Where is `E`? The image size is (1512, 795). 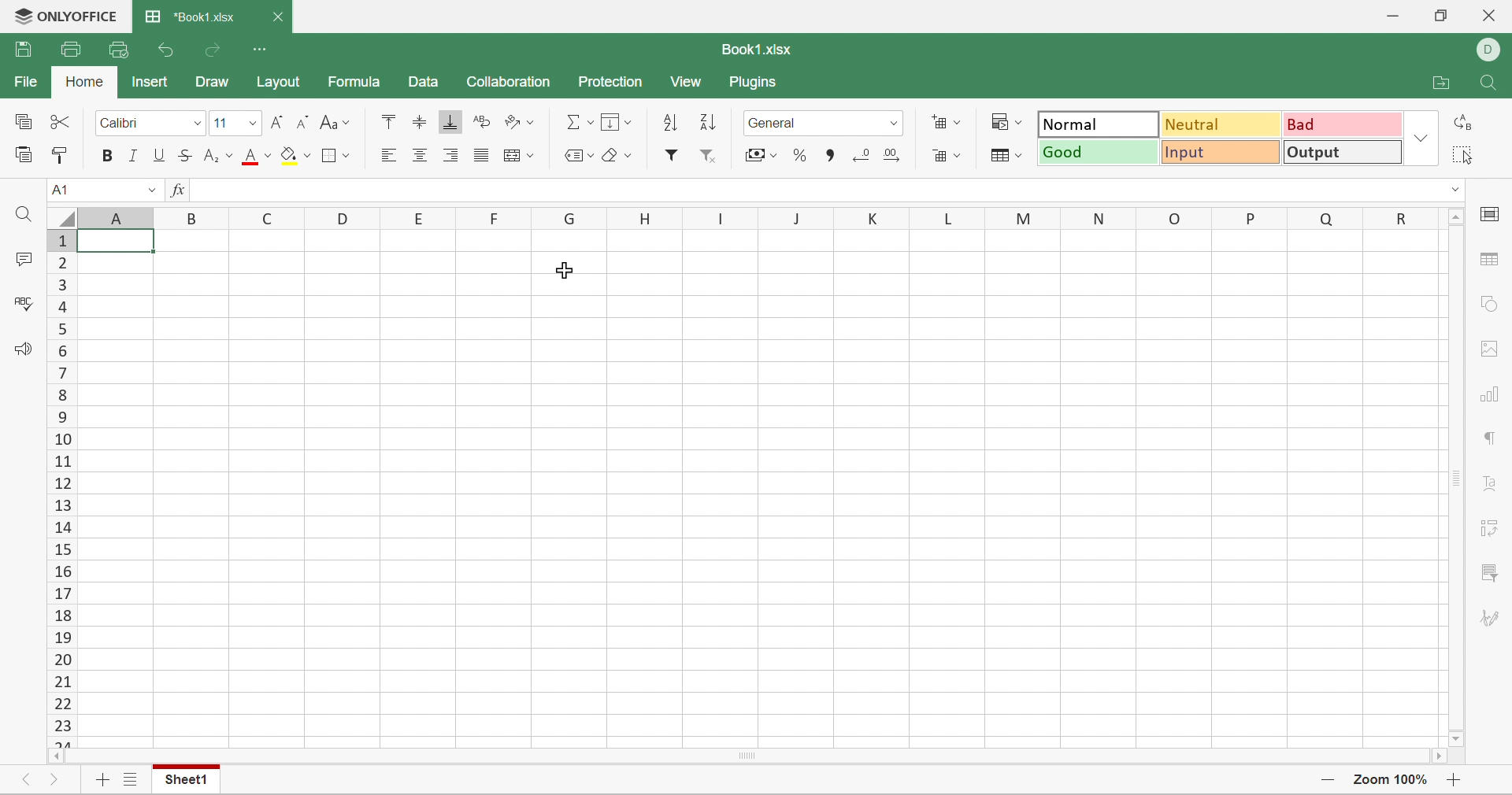 E is located at coordinates (420, 215).